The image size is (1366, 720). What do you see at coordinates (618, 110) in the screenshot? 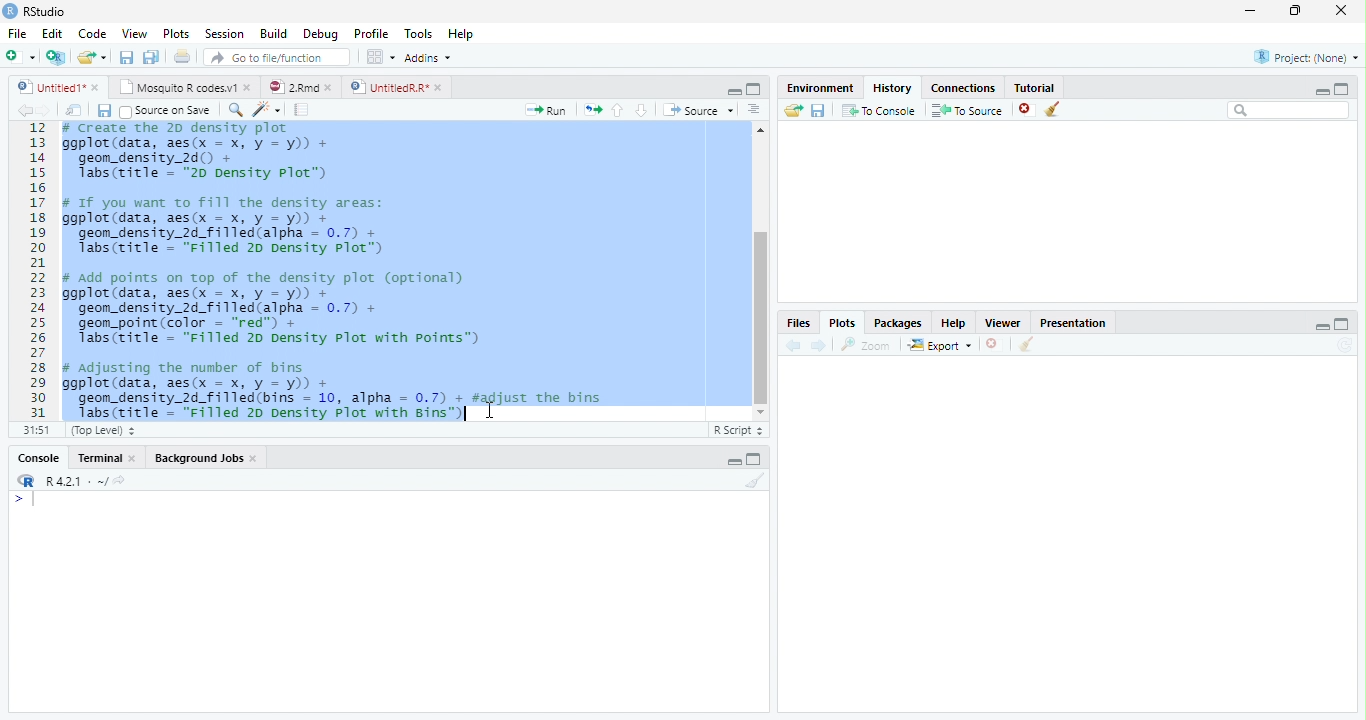
I see `up` at bounding box center [618, 110].